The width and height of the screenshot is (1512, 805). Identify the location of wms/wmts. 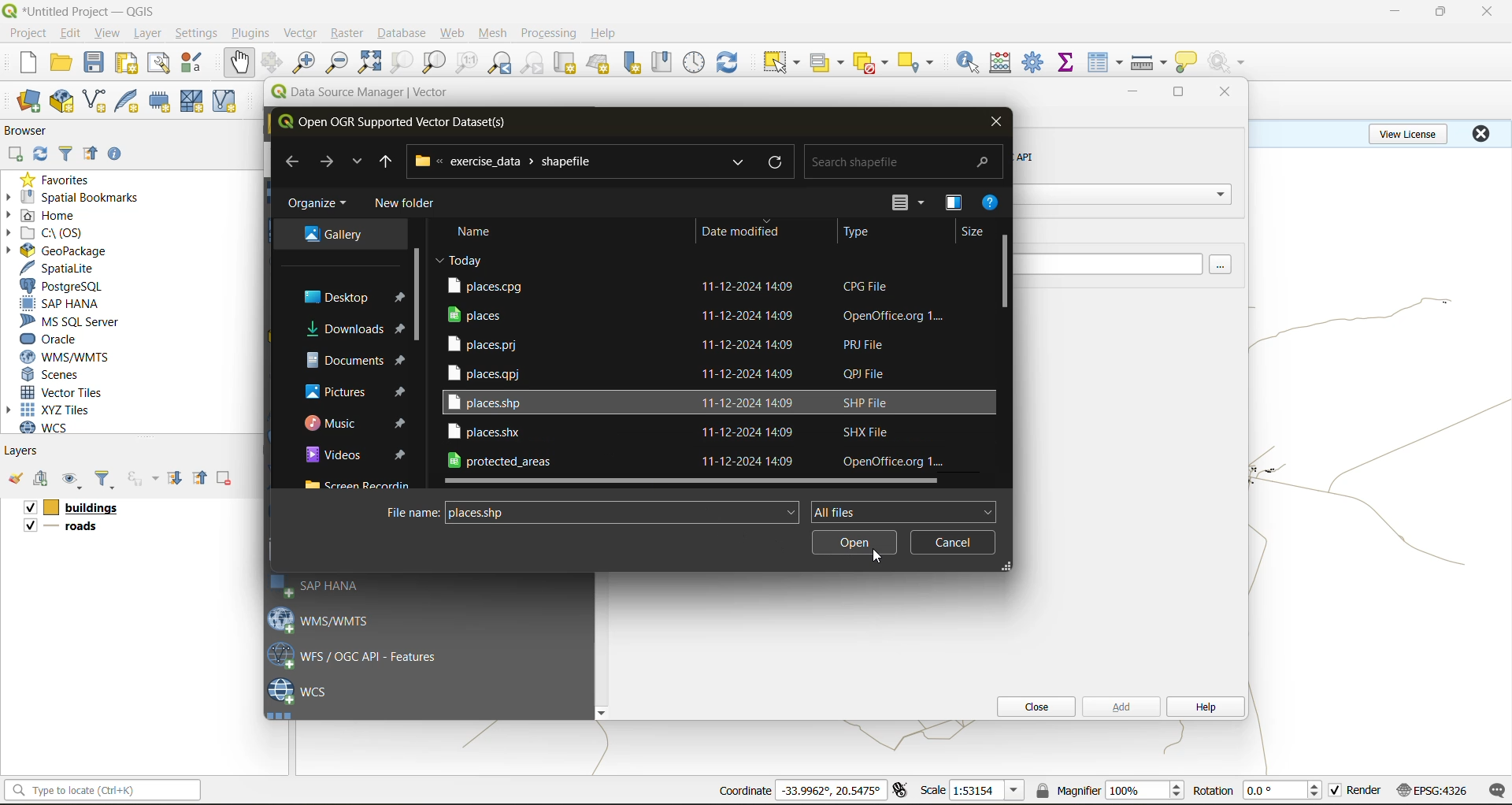
(327, 619).